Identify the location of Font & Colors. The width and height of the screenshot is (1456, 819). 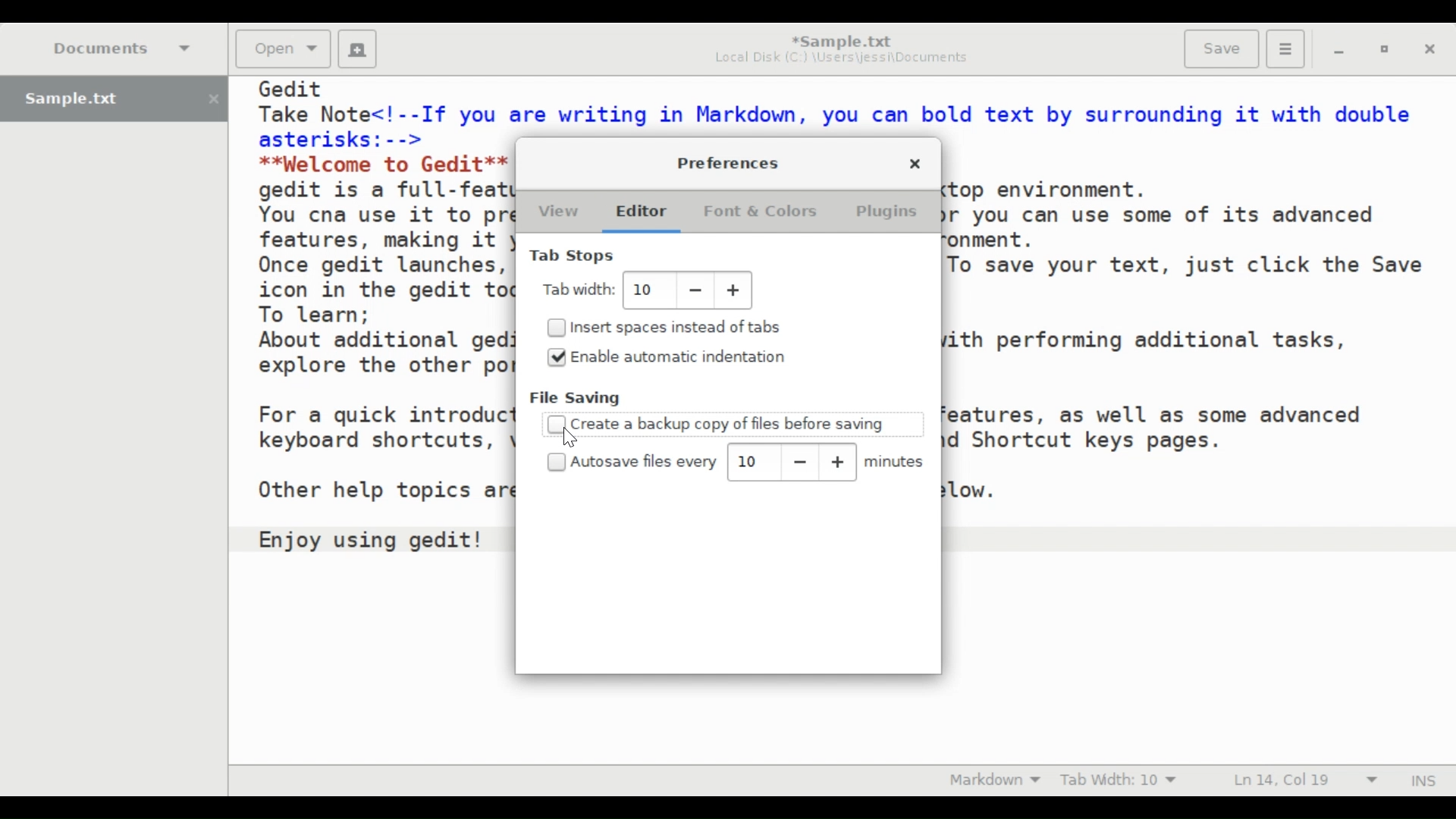
(759, 213).